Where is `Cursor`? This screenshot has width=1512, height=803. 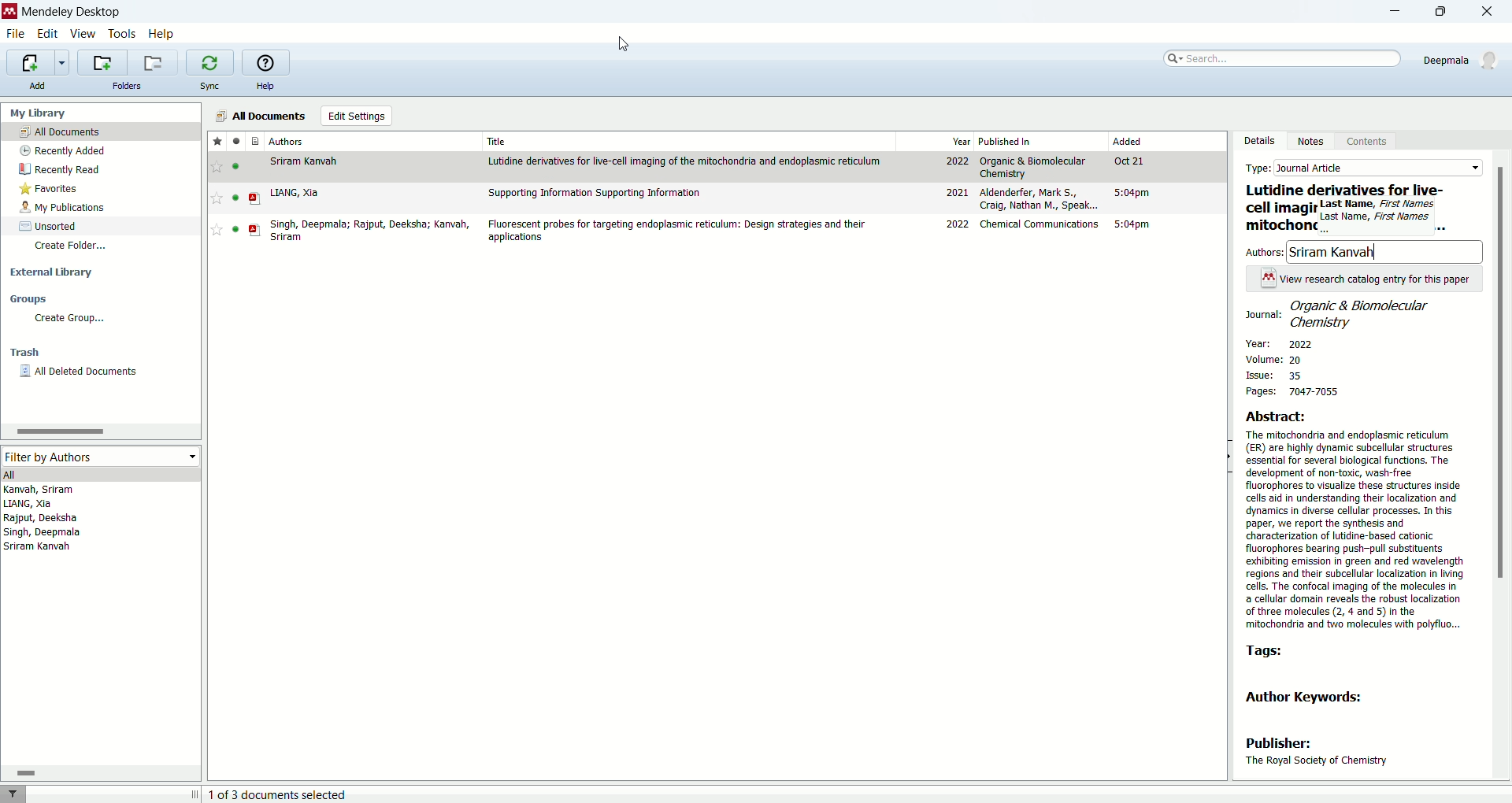
Cursor is located at coordinates (624, 41).